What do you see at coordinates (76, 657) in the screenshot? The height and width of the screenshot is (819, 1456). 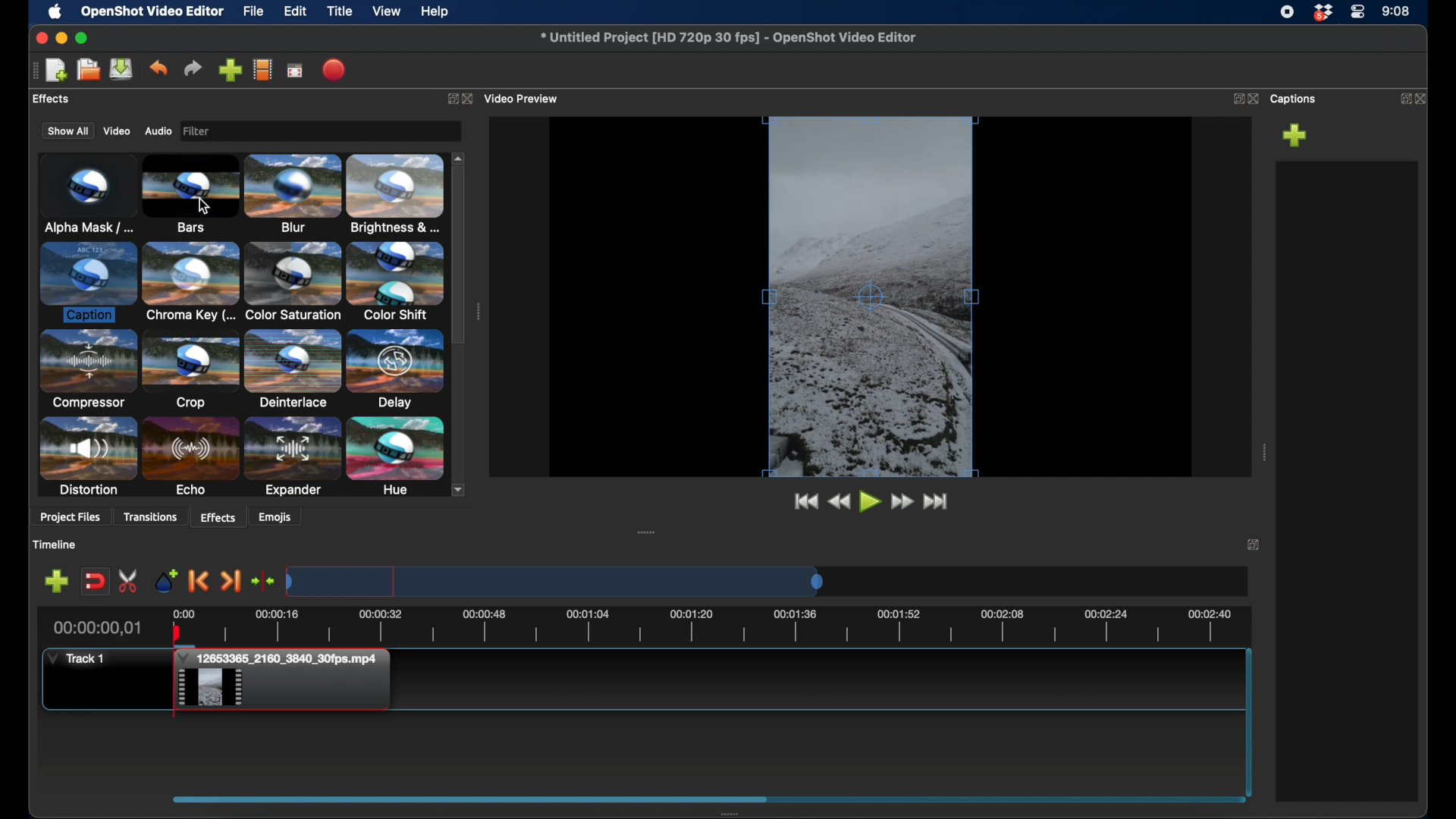 I see `track 1` at bounding box center [76, 657].